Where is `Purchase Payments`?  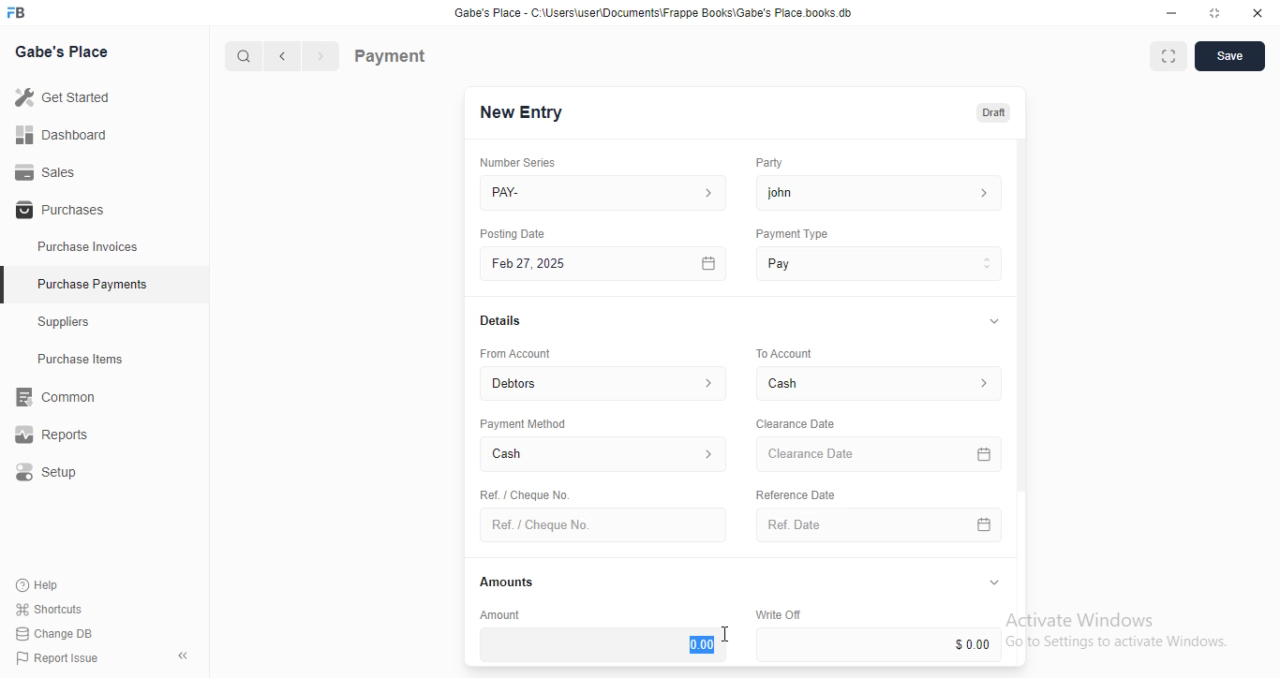 Purchase Payments is located at coordinates (91, 284).